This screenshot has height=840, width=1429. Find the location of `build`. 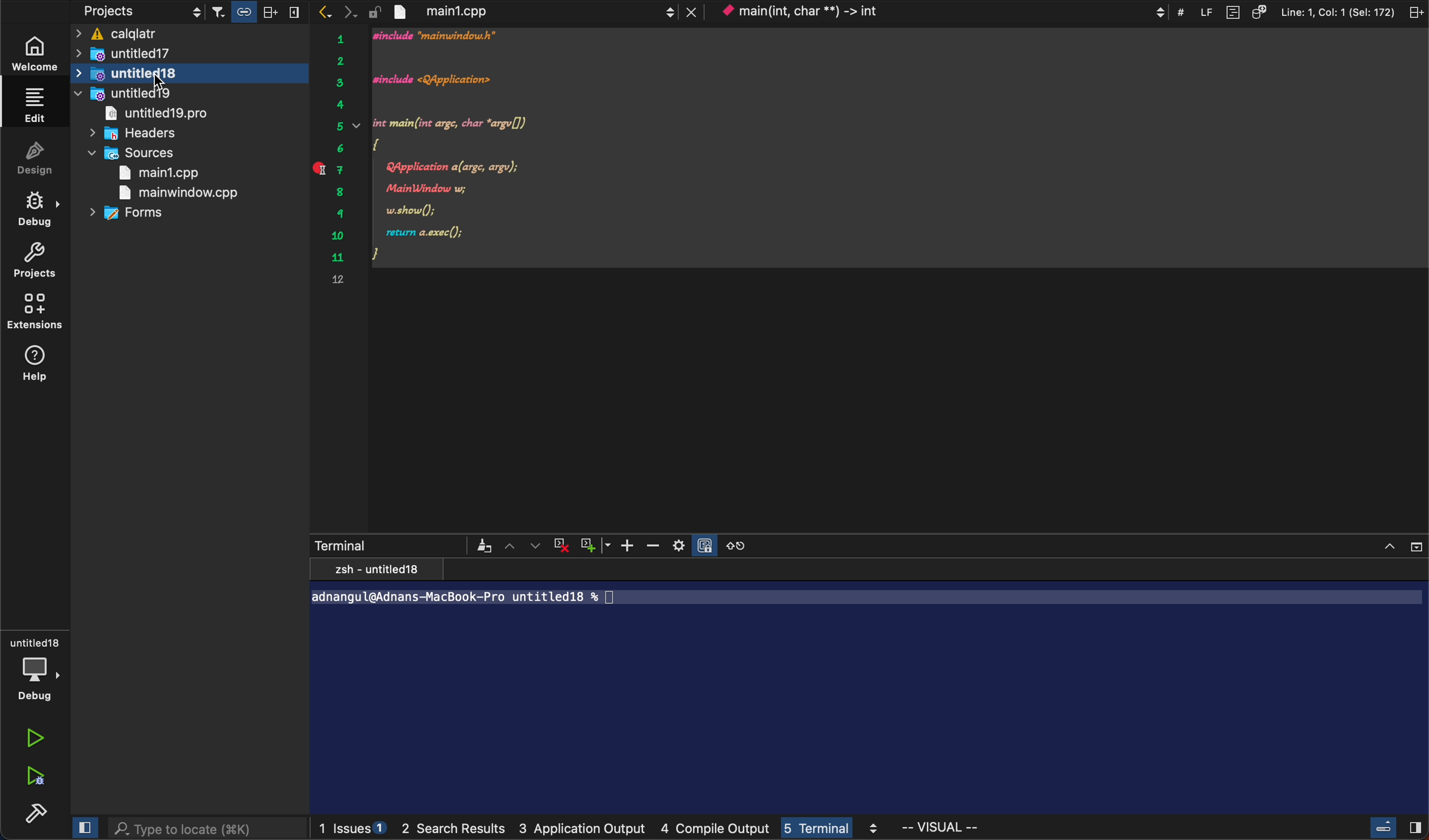

build is located at coordinates (32, 812).